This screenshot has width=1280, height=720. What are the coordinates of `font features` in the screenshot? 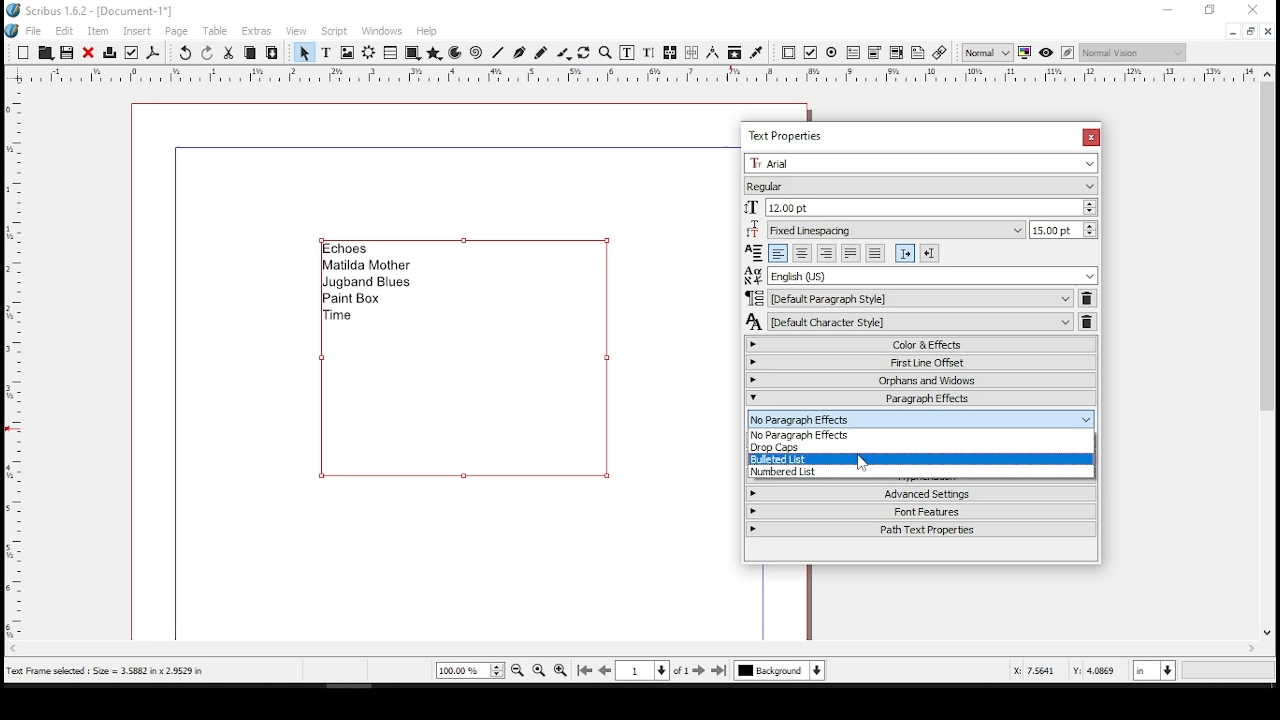 It's located at (919, 513).